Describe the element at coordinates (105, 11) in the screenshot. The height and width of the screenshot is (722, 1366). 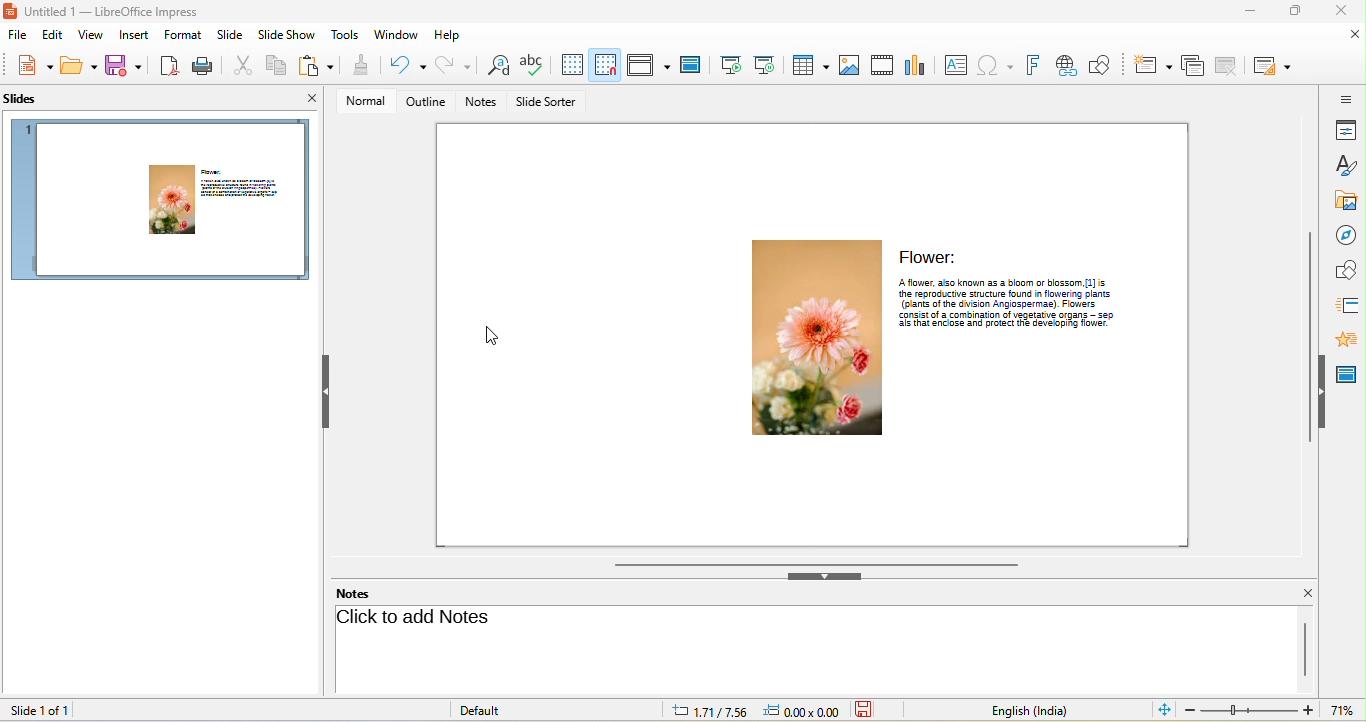
I see ` Untitled 1 — LibreOffice Impress` at that location.